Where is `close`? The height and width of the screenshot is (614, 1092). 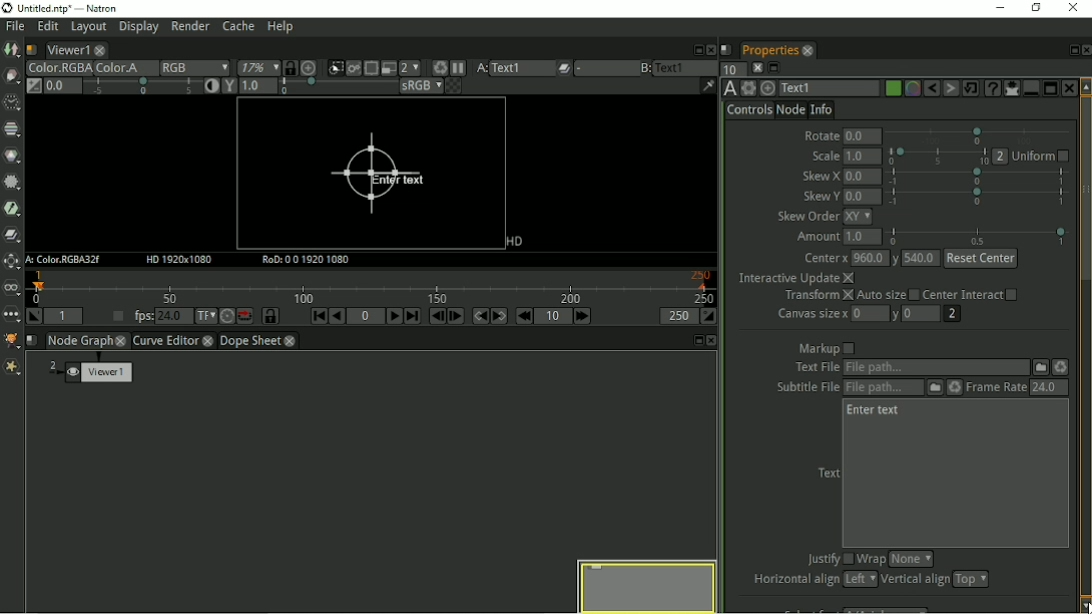 close is located at coordinates (209, 342).